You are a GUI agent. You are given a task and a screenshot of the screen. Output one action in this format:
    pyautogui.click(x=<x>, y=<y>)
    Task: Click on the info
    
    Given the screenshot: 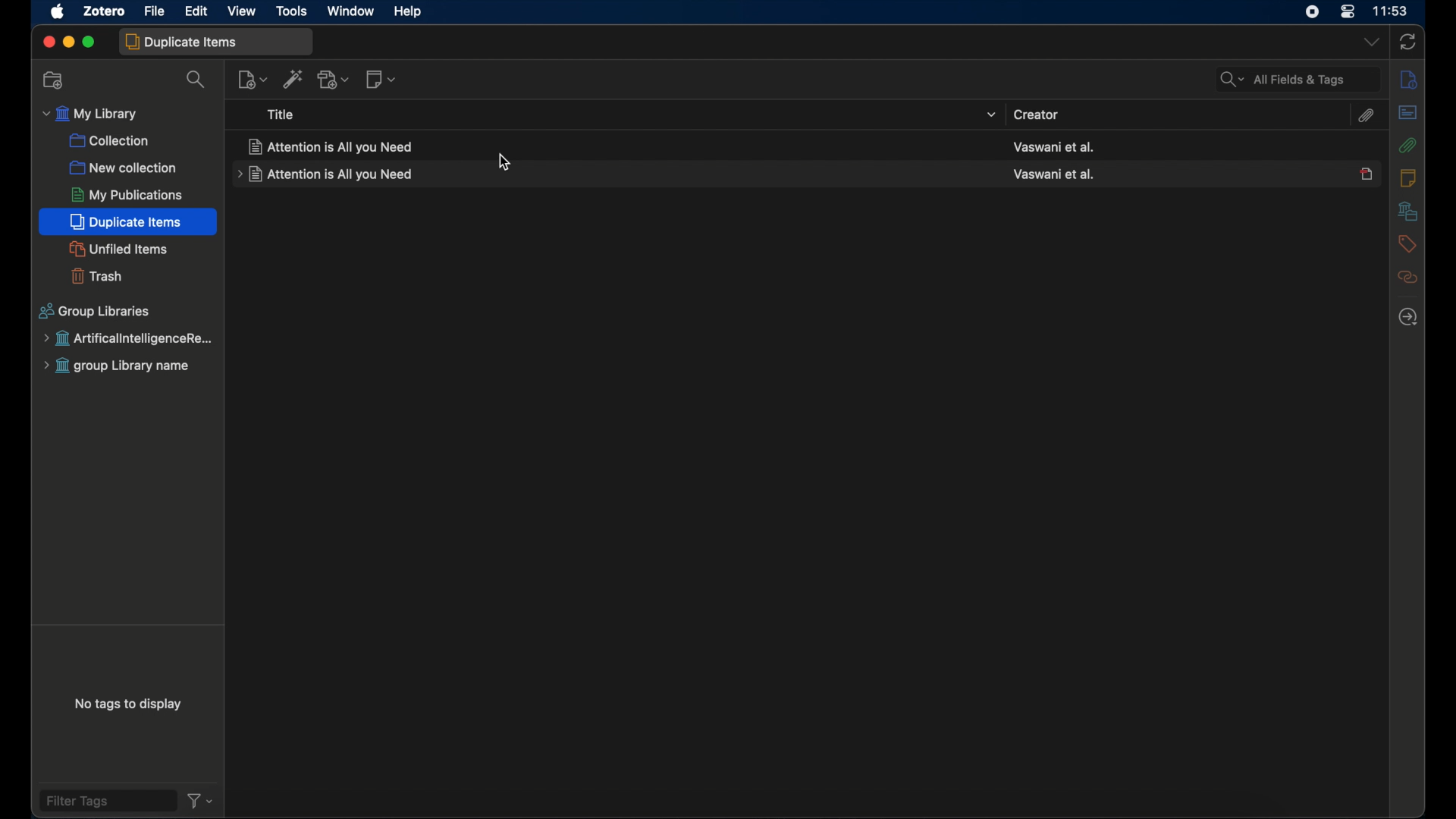 What is the action you would take?
    pyautogui.click(x=1410, y=80)
    